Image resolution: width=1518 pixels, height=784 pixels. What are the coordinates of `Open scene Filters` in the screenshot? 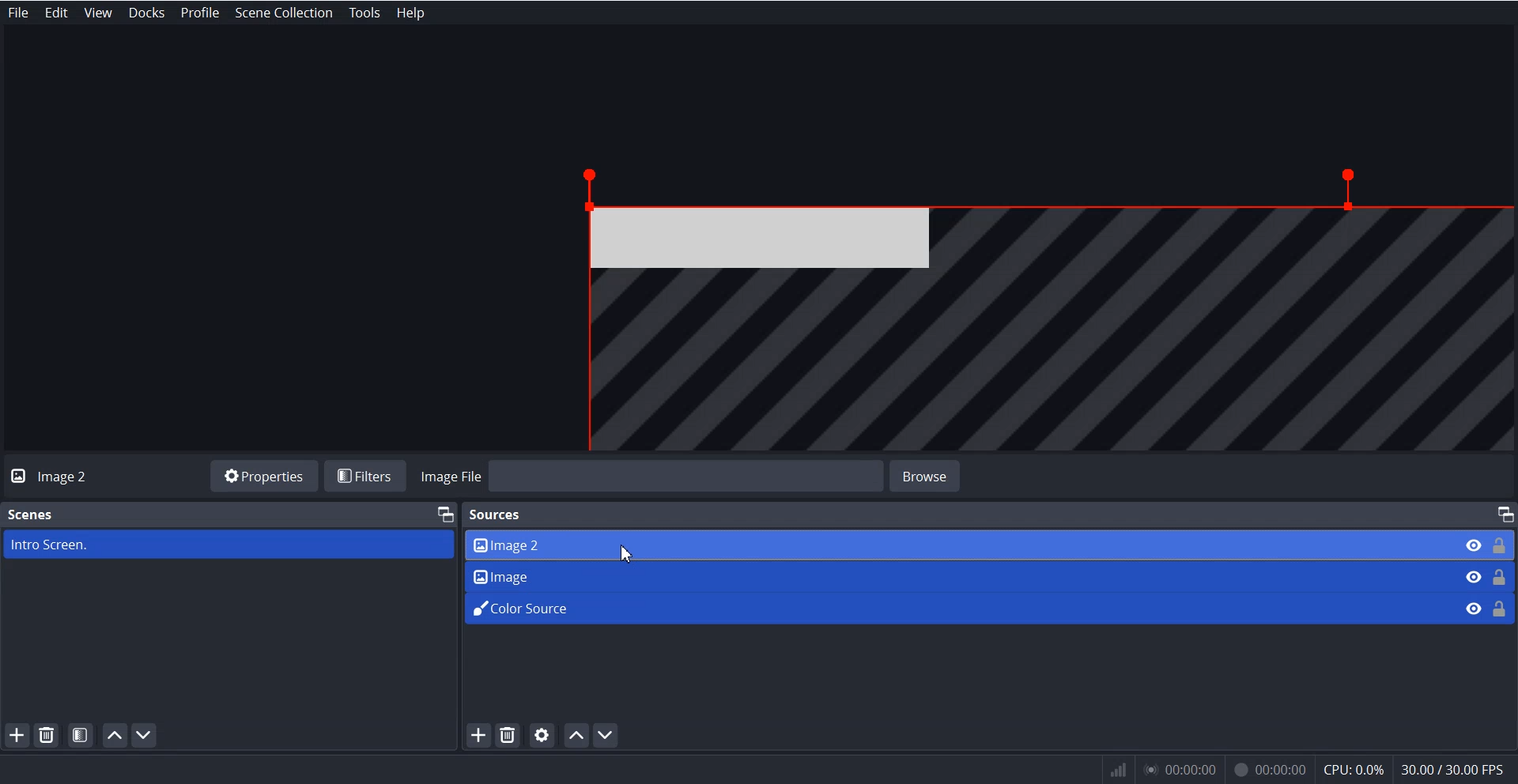 It's located at (81, 734).